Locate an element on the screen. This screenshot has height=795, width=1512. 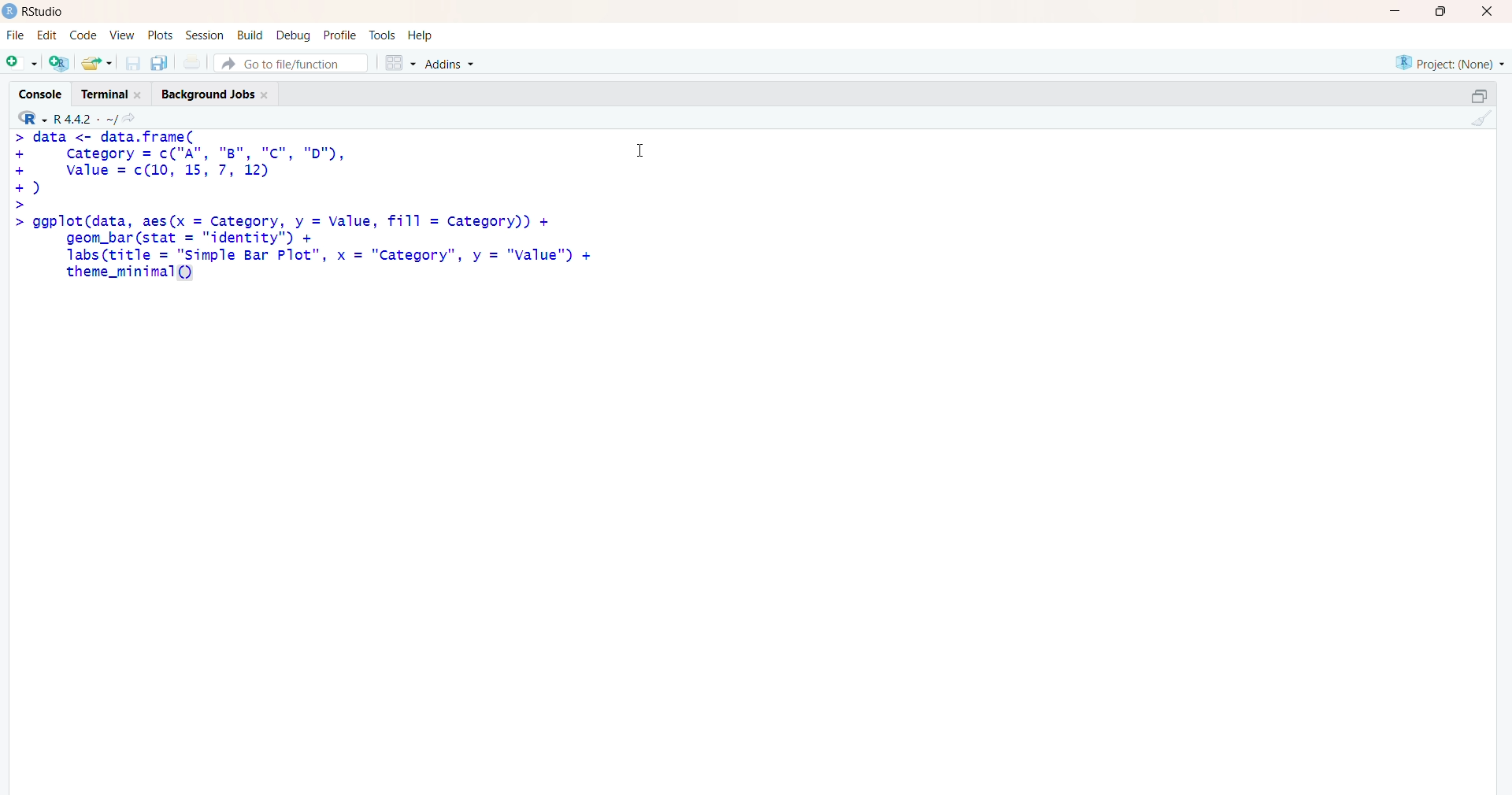
maximize is located at coordinates (1479, 96).